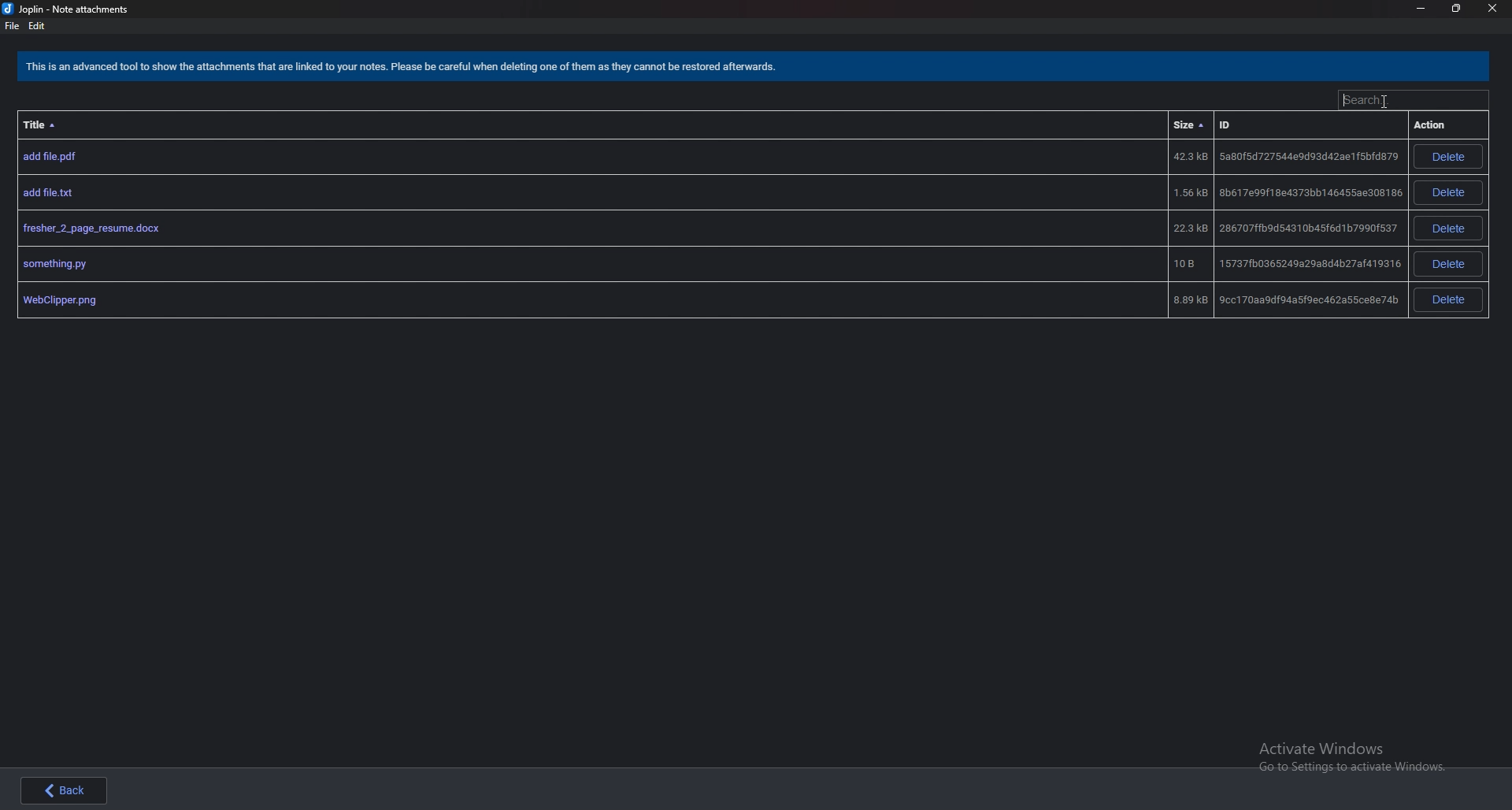  Describe the element at coordinates (1437, 124) in the screenshot. I see `Action` at that location.